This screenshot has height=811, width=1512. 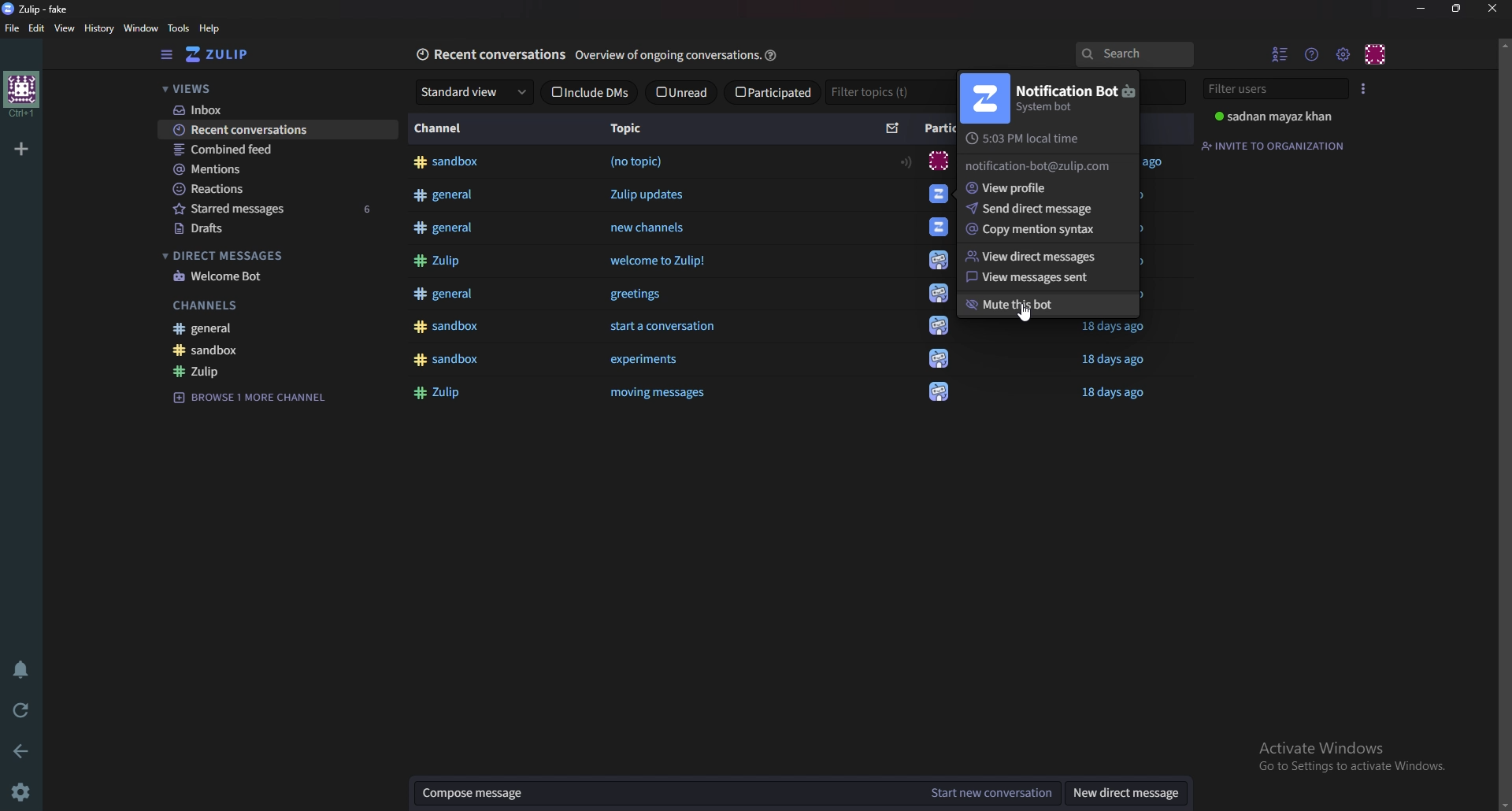 What do you see at coordinates (66, 28) in the screenshot?
I see `view` at bounding box center [66, 28].